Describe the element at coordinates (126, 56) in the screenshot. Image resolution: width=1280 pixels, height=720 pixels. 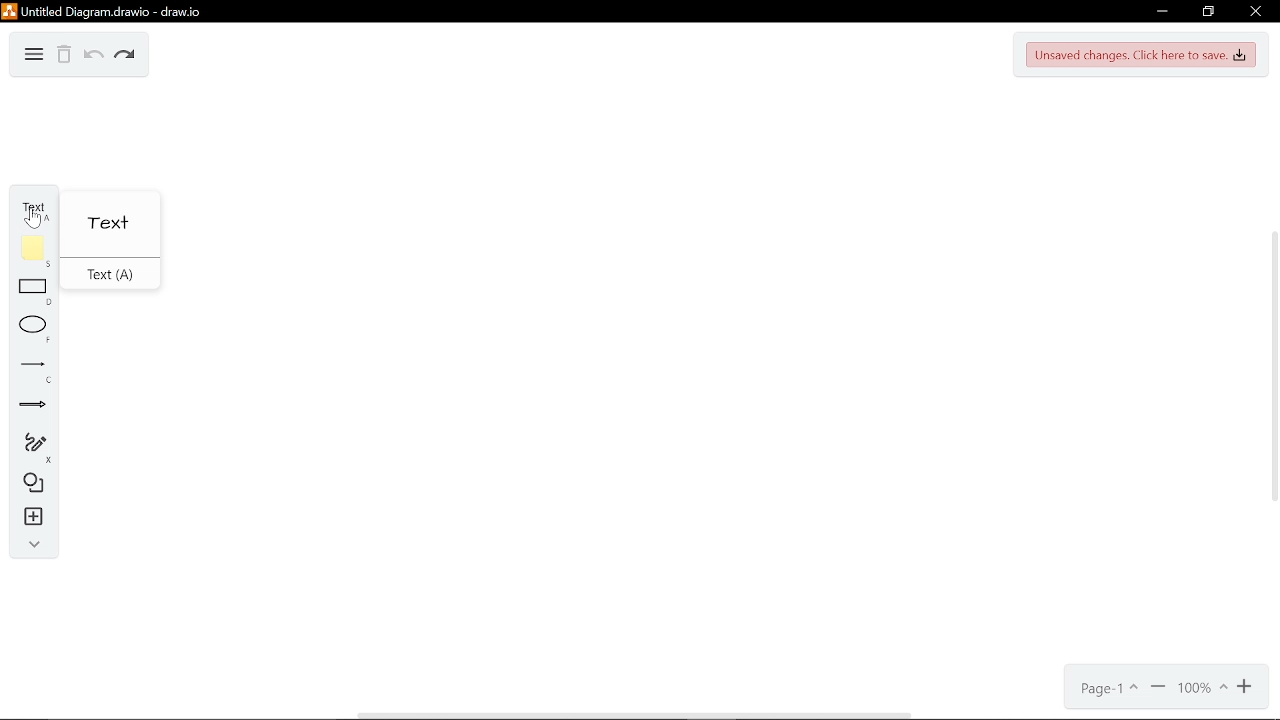
I see `Redo` at that location.